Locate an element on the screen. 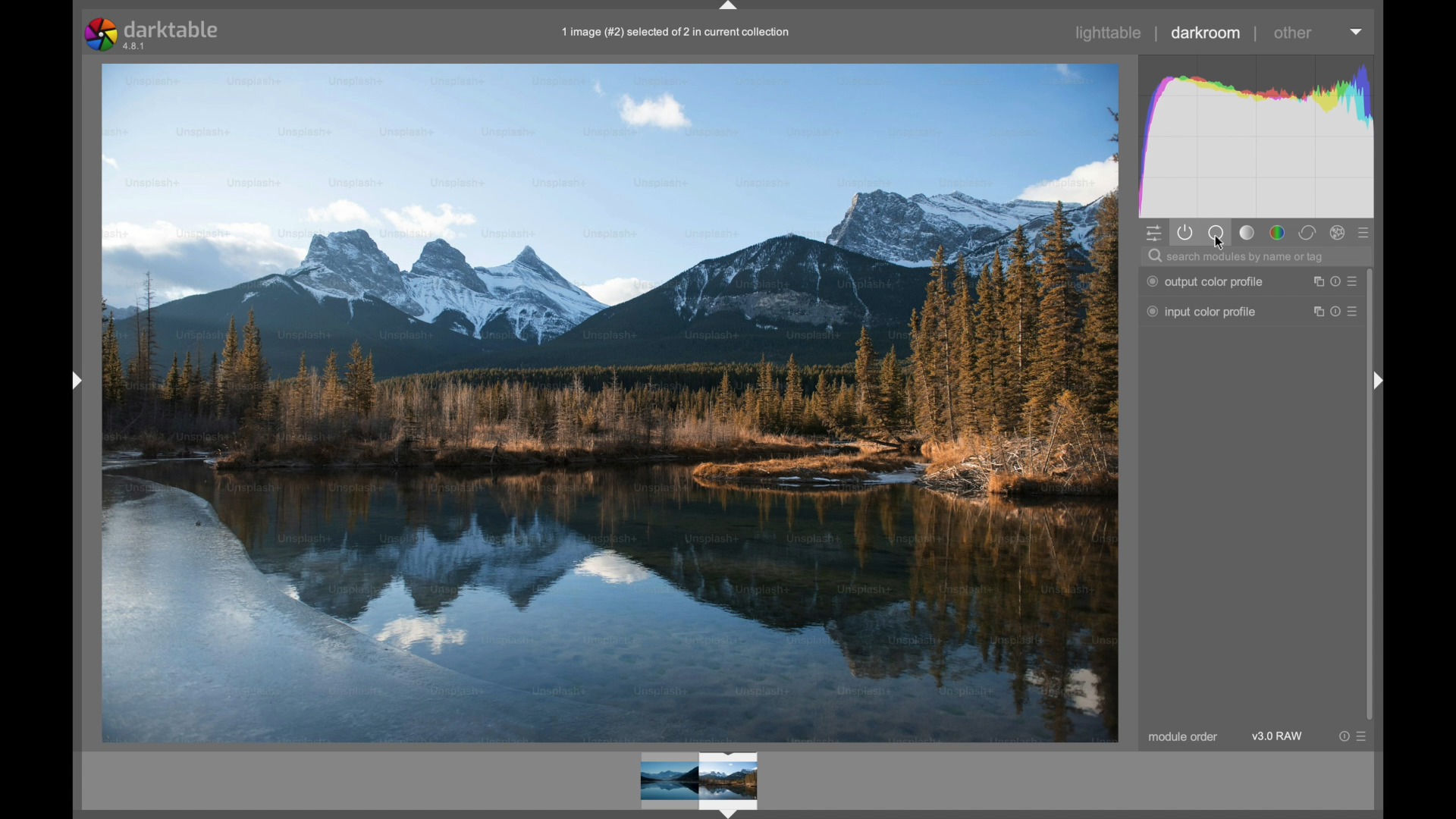 The height and width of the screenshot is (819, 1456). presets is located at coordinates (1367, 233).